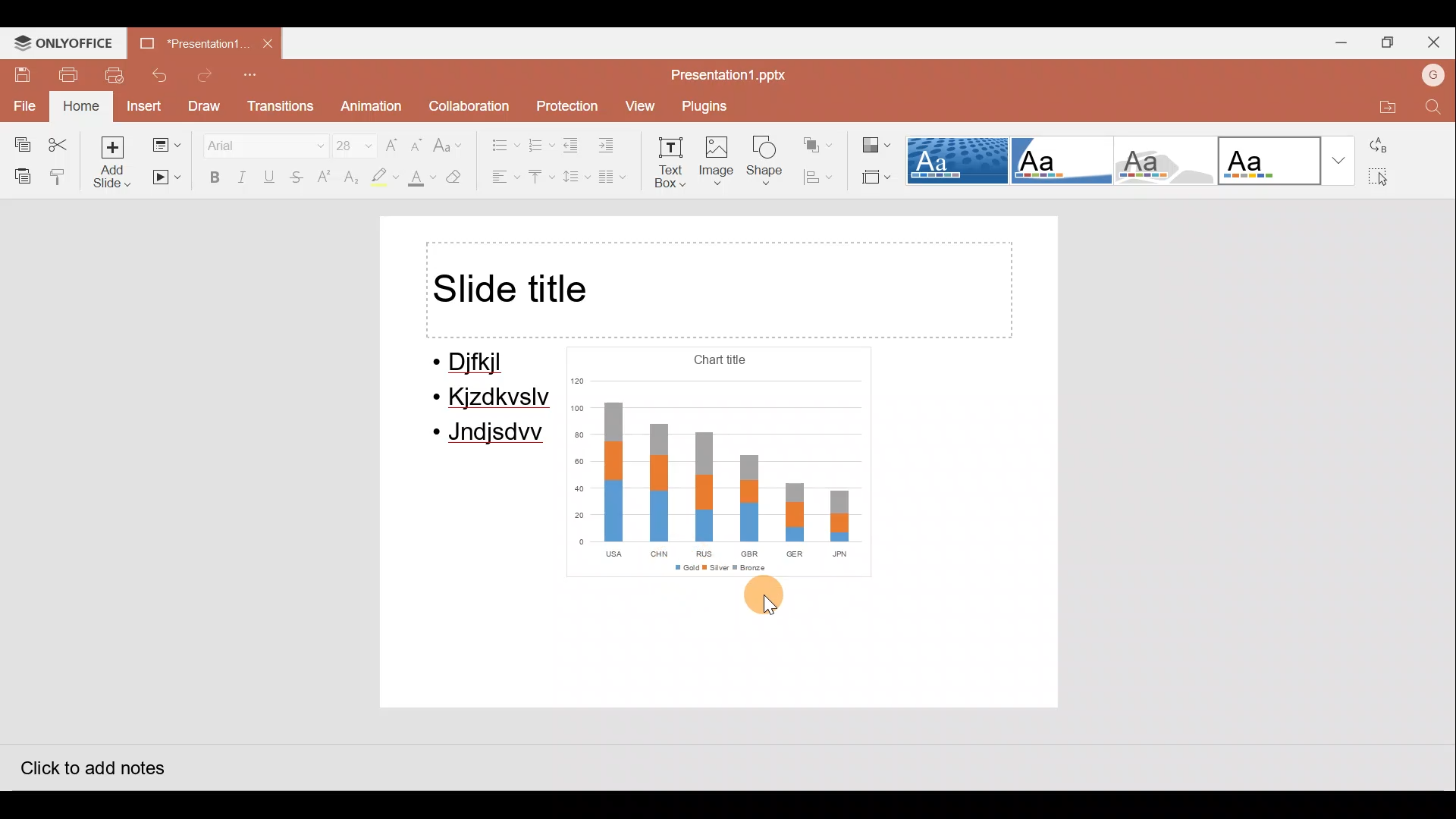 Image resolution: width=1456 pixels, height=819 pixels. I want to click on Quick print, so click(118, 76).